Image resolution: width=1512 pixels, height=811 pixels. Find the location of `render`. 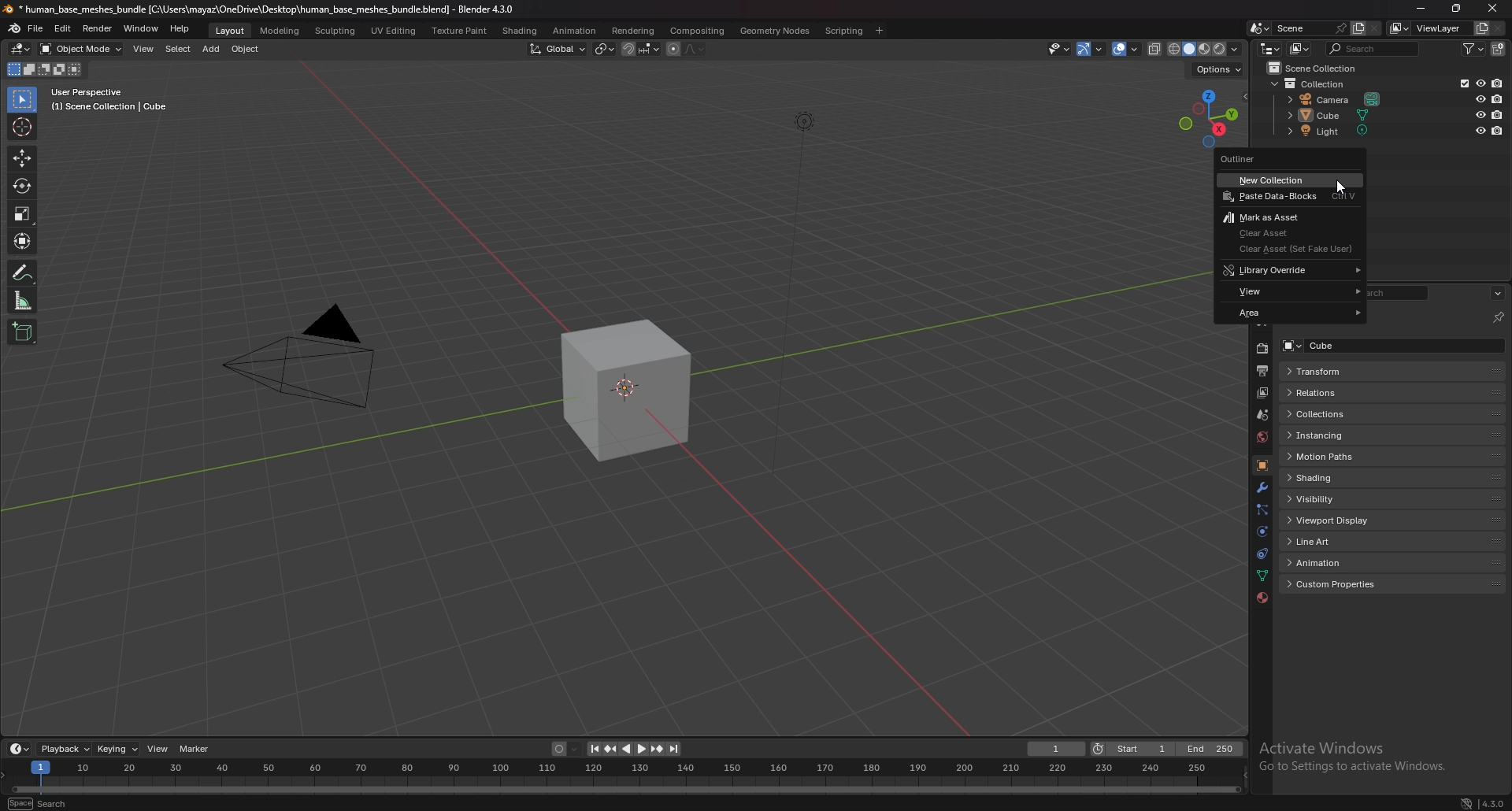

render is located at coordinates (98, 28).